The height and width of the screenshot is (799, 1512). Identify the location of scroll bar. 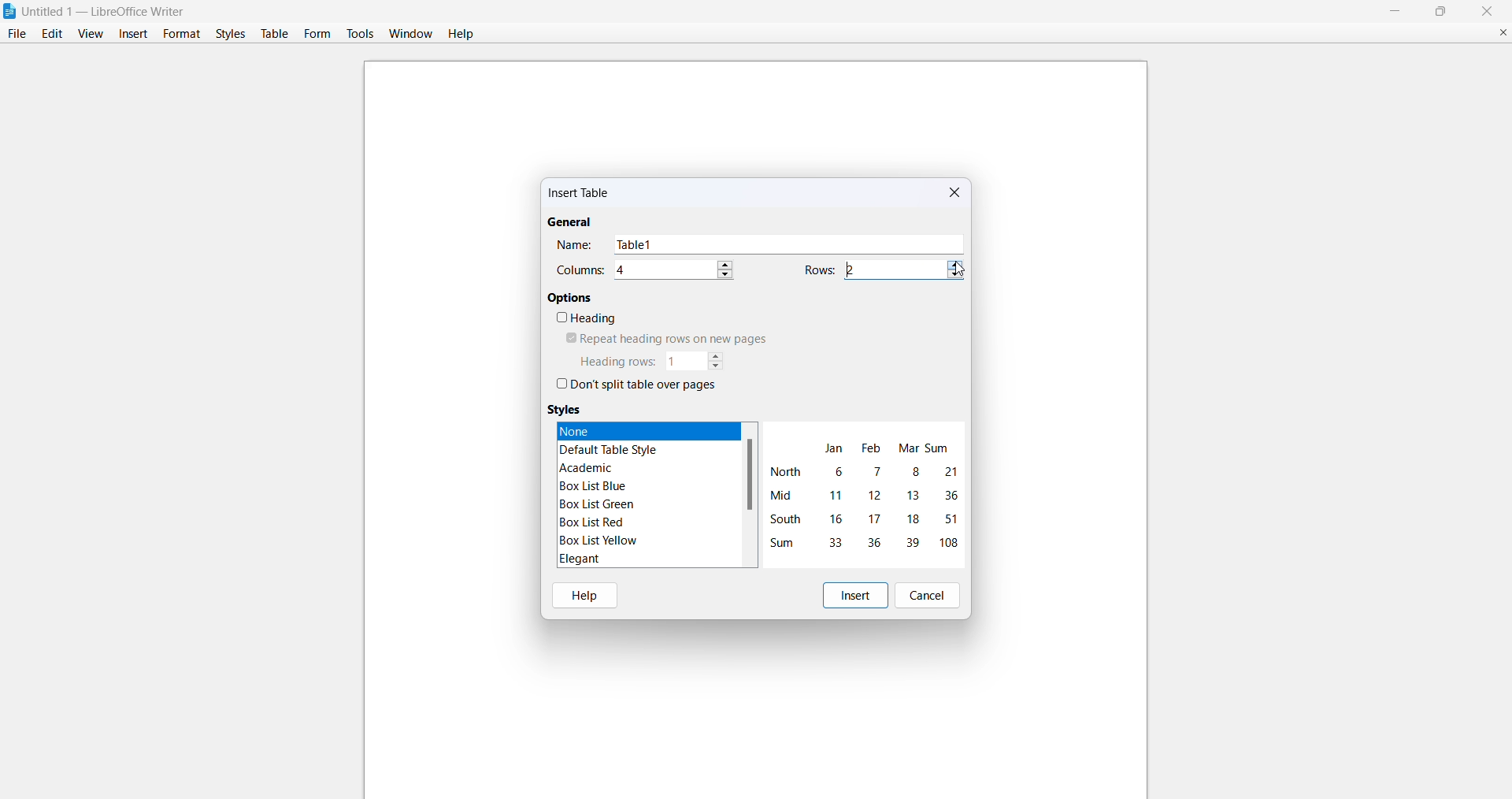
(750, 475).